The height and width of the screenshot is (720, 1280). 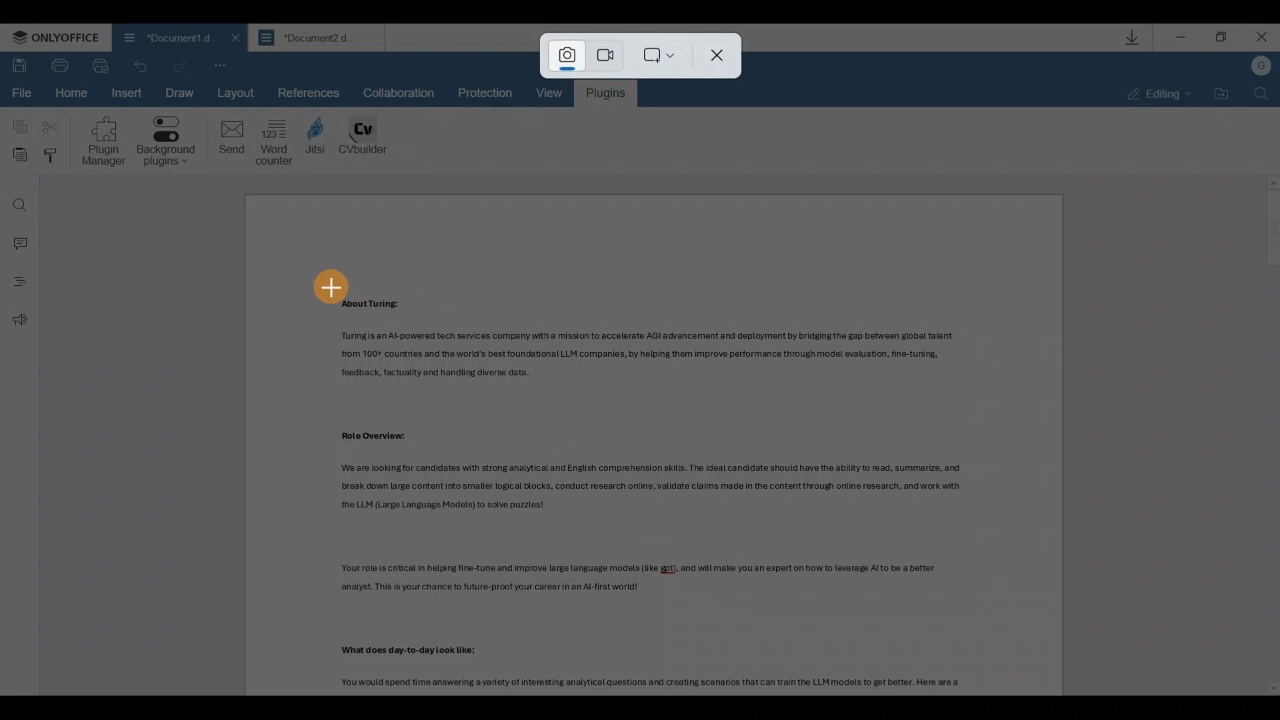 What do you see at coordinates (1180, 40) in the screenshot?
I see `Minimize` at bounding box center [1180, 40].